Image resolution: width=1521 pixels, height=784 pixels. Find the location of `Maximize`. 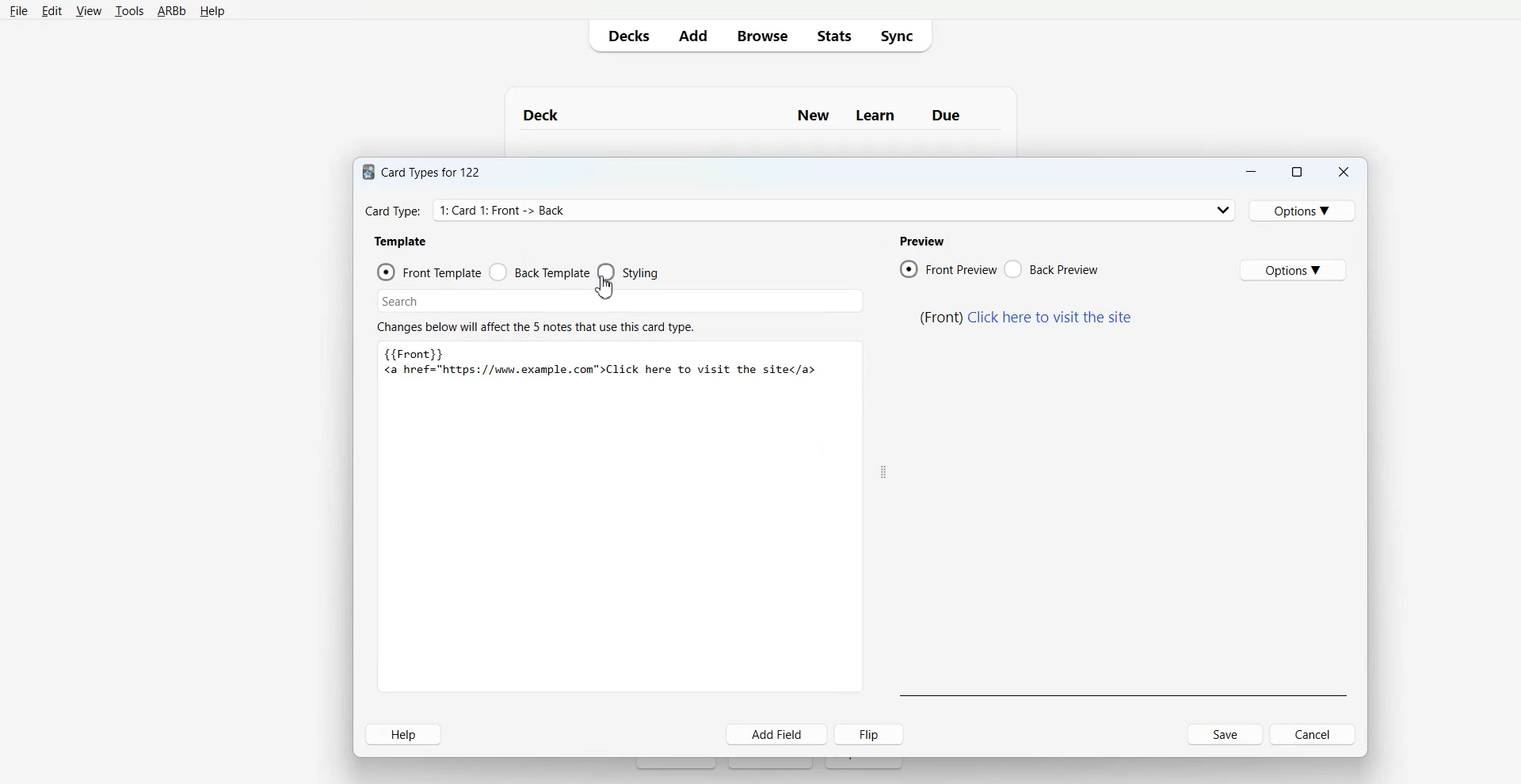

Maximize is located at coordinates (1297, 170).